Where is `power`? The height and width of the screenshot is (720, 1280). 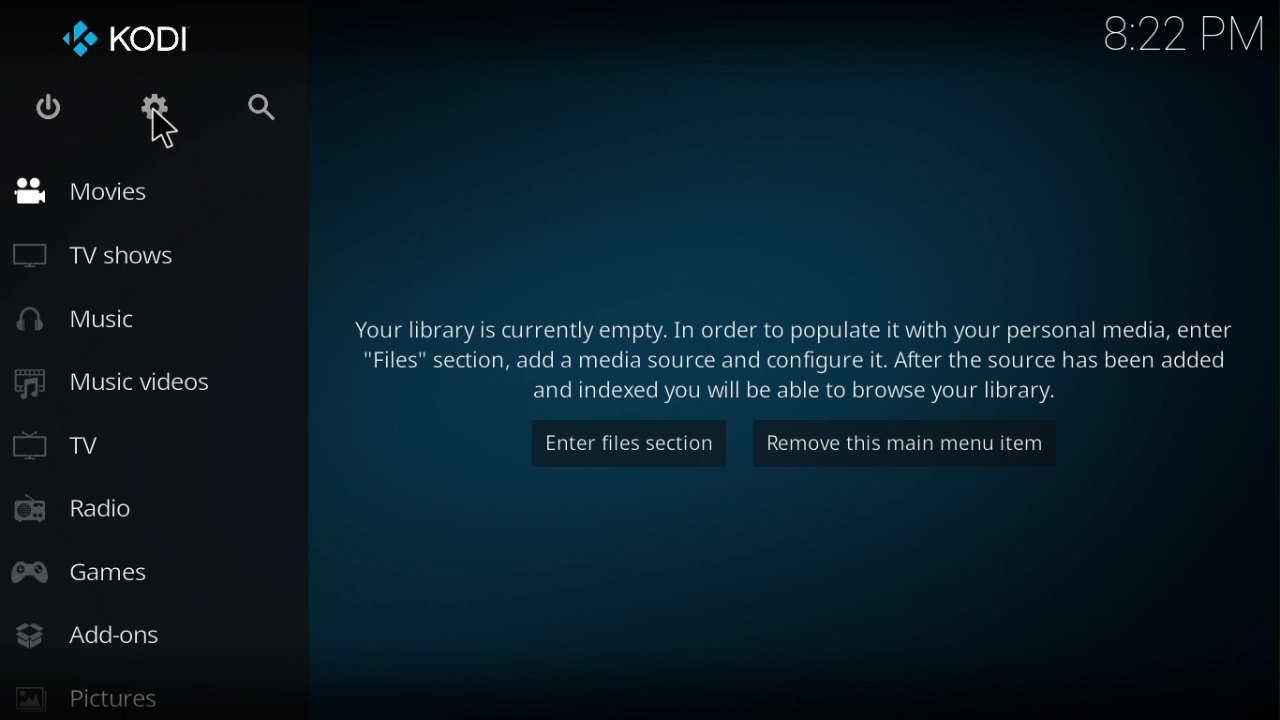 power is located at coordinates (51, 111).